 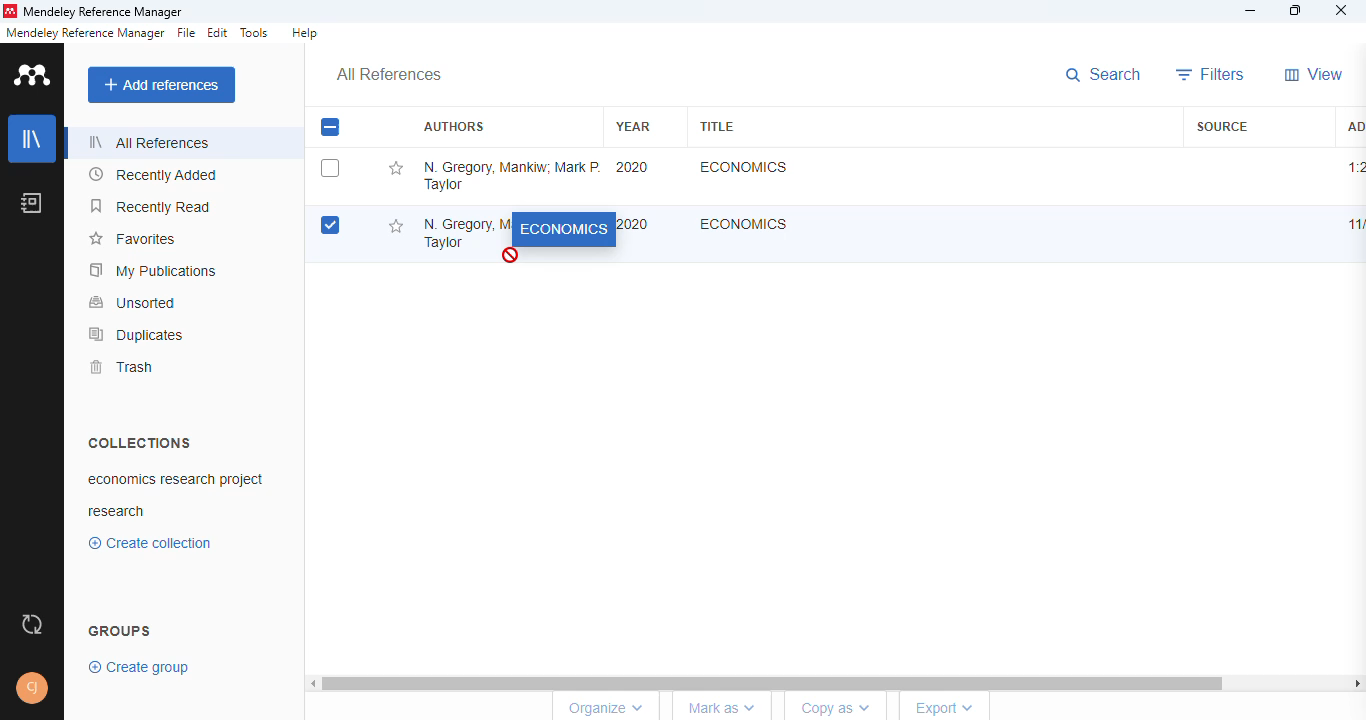 I want to click on add this reference to favorites, so click(x=394, y=225).